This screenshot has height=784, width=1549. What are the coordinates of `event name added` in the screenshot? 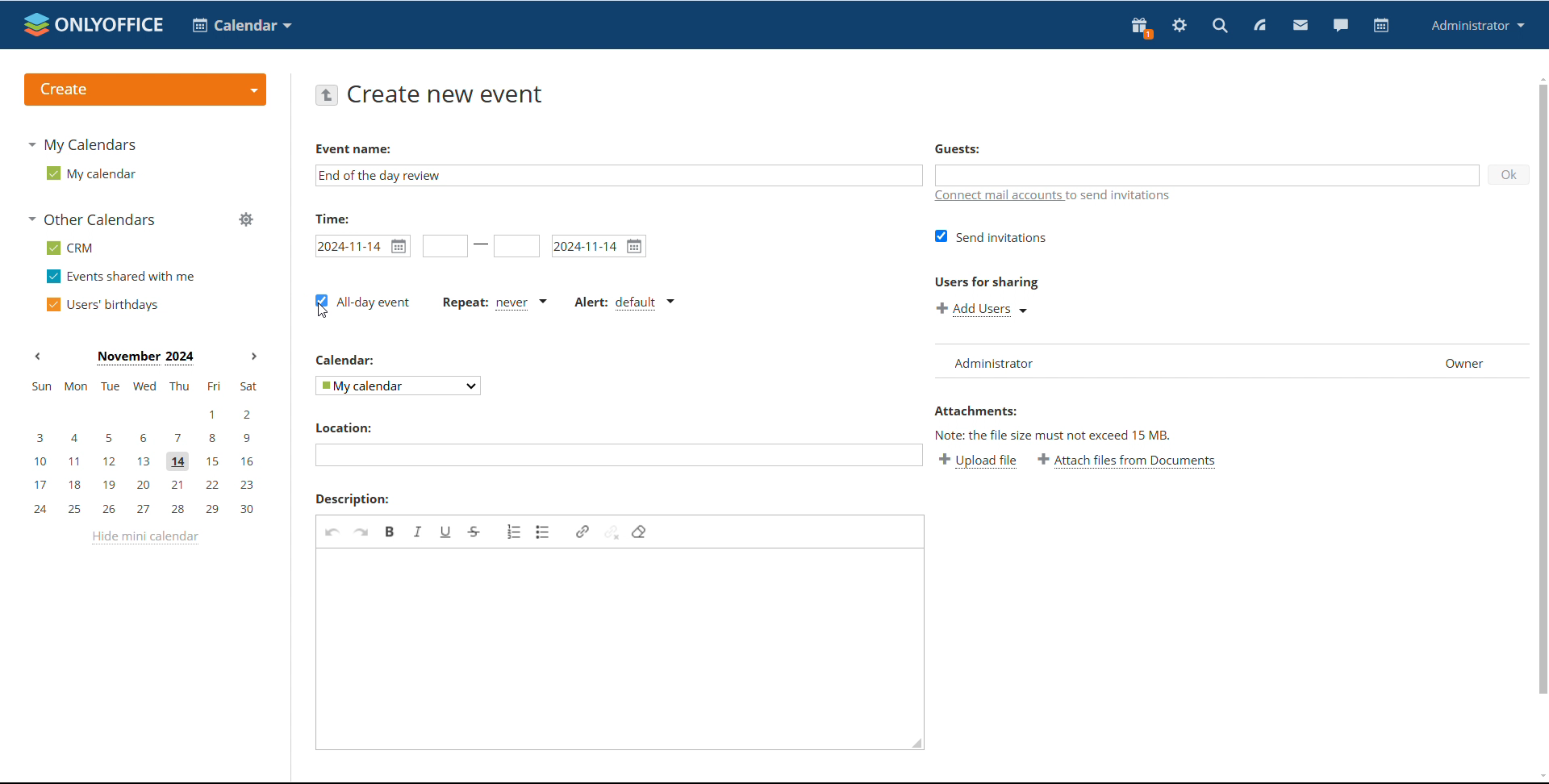 It's located at (381, 175).